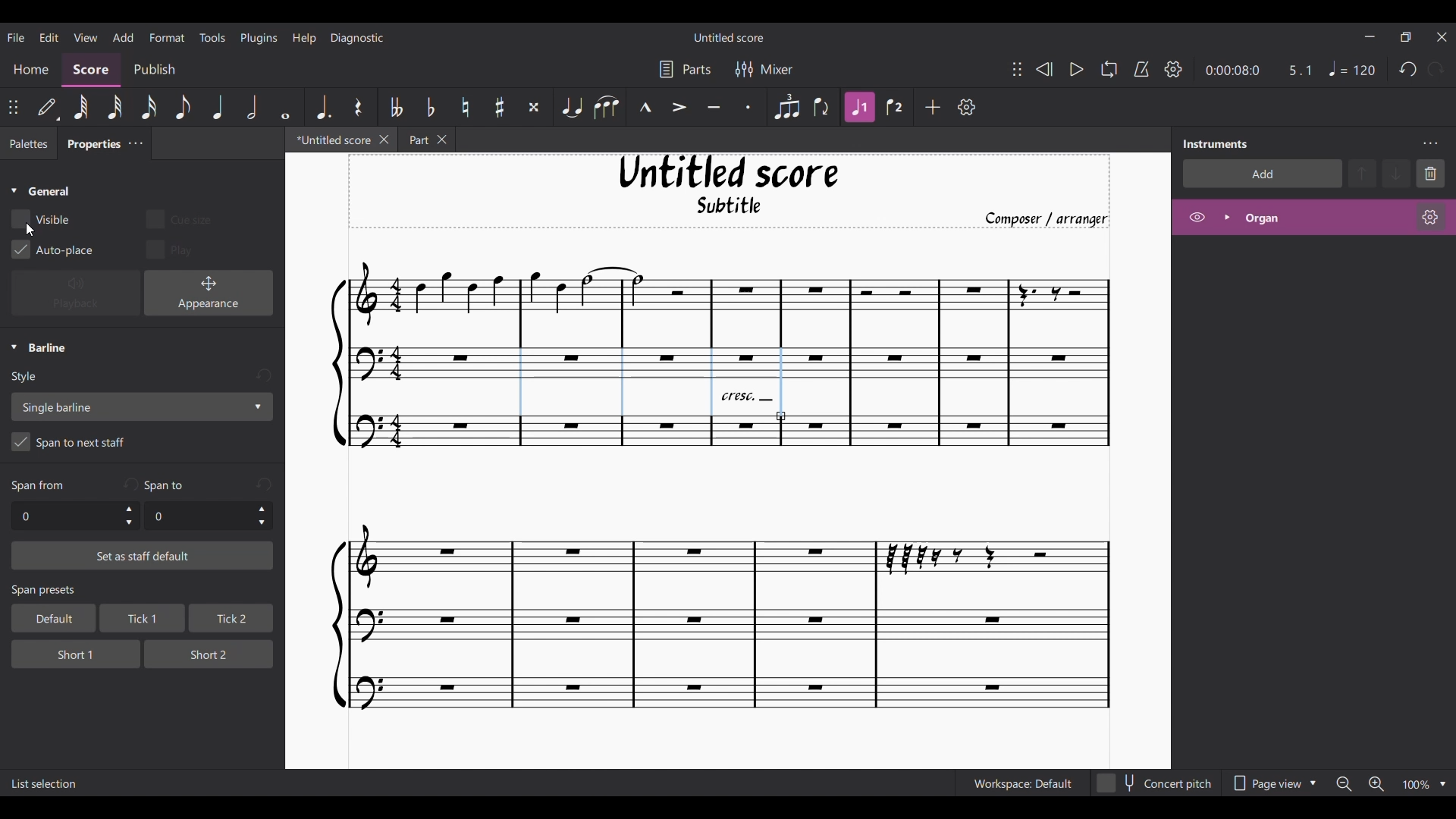 This screenshot has width=1456, height=819. What do you see at coordinates (430, 107) in the screenshot?
I see `Toggle flat` at bounding box center [430, 107].